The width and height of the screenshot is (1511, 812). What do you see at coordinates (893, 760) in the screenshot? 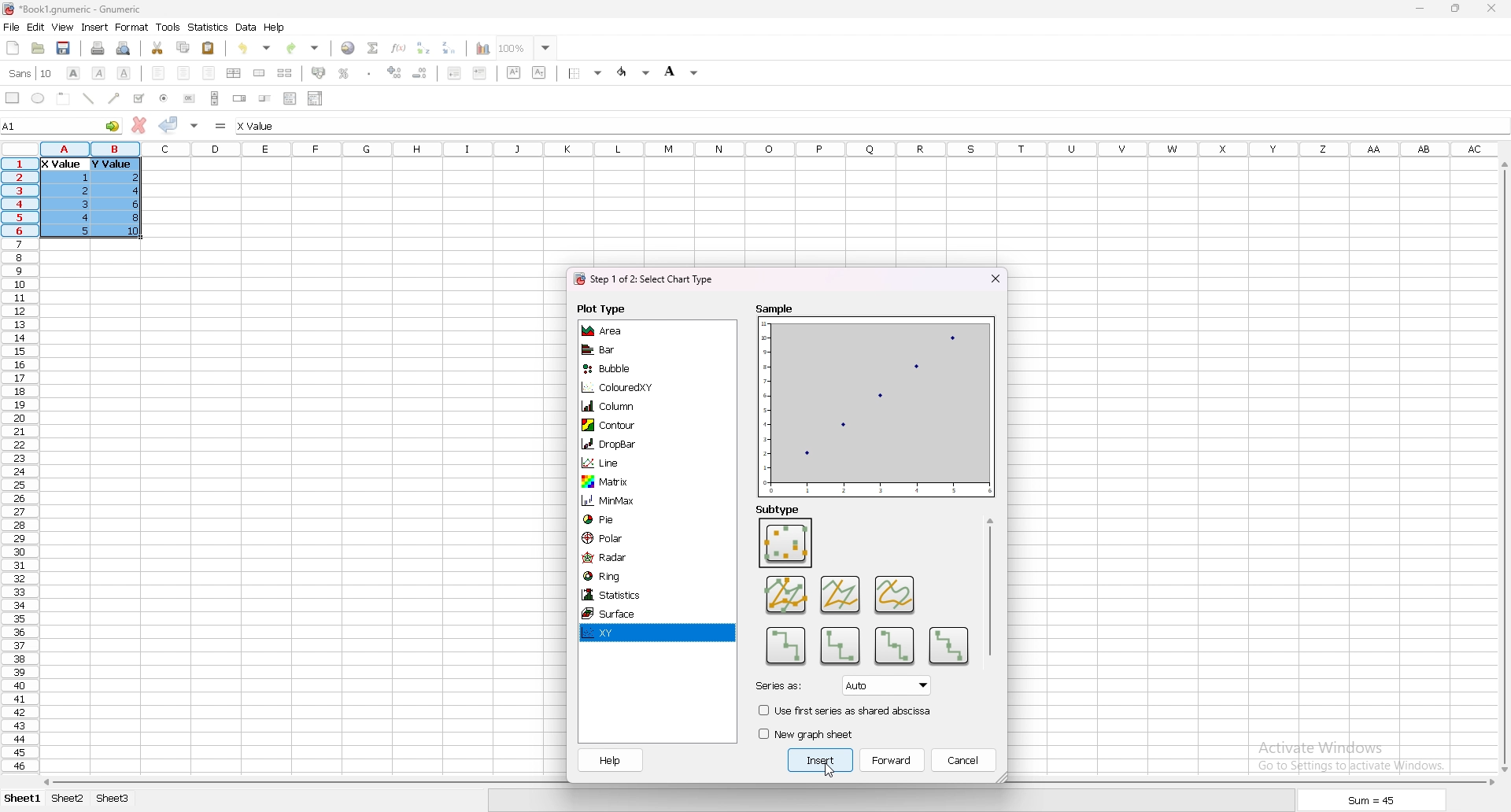
I see `forward` at bounding box center [893, 760].